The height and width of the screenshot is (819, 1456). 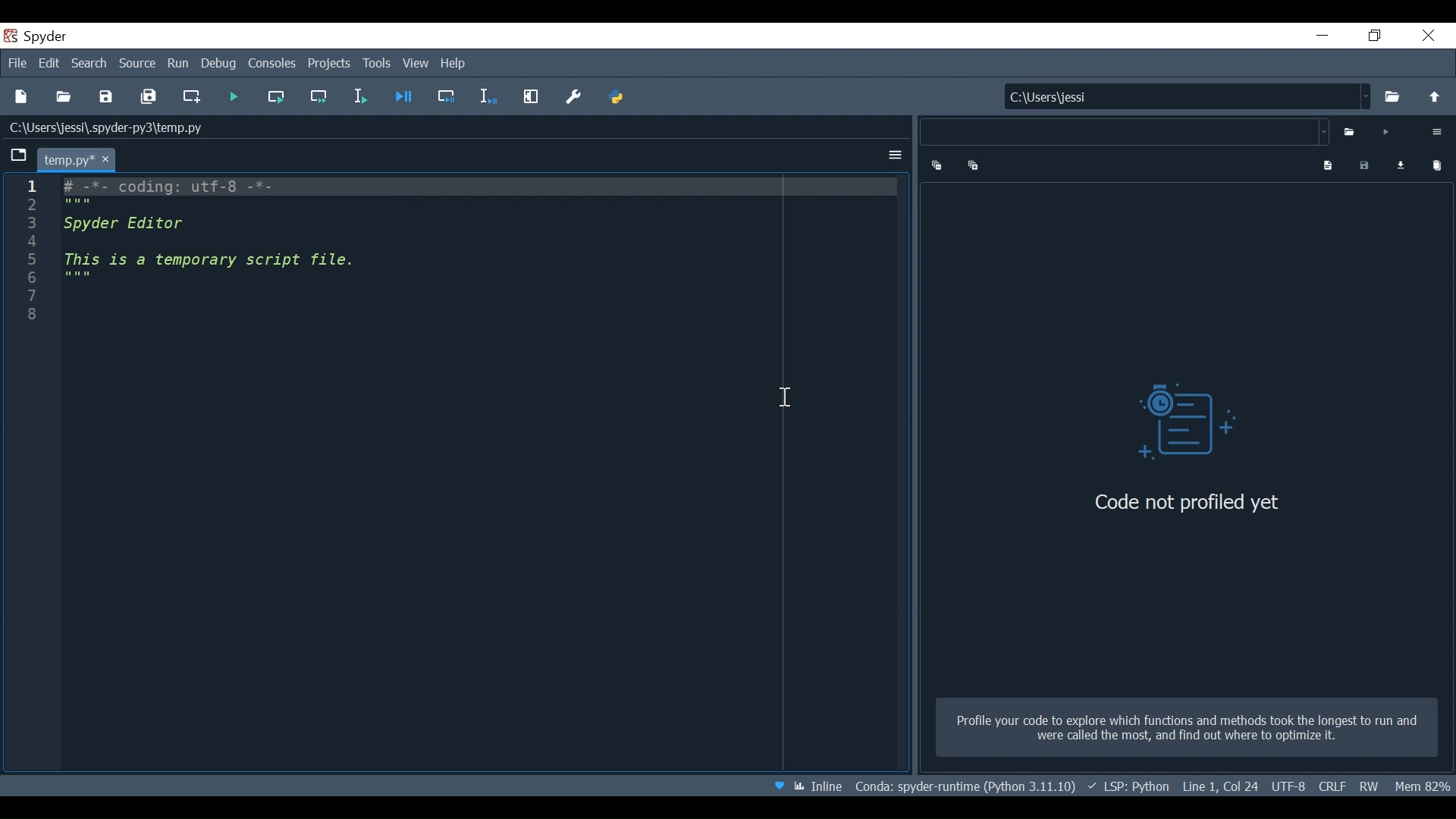 What do you see at coordinates (620, 98) in the screenshot?
I see `PYTHONPATH Manager` at bounding box center [620, 98].